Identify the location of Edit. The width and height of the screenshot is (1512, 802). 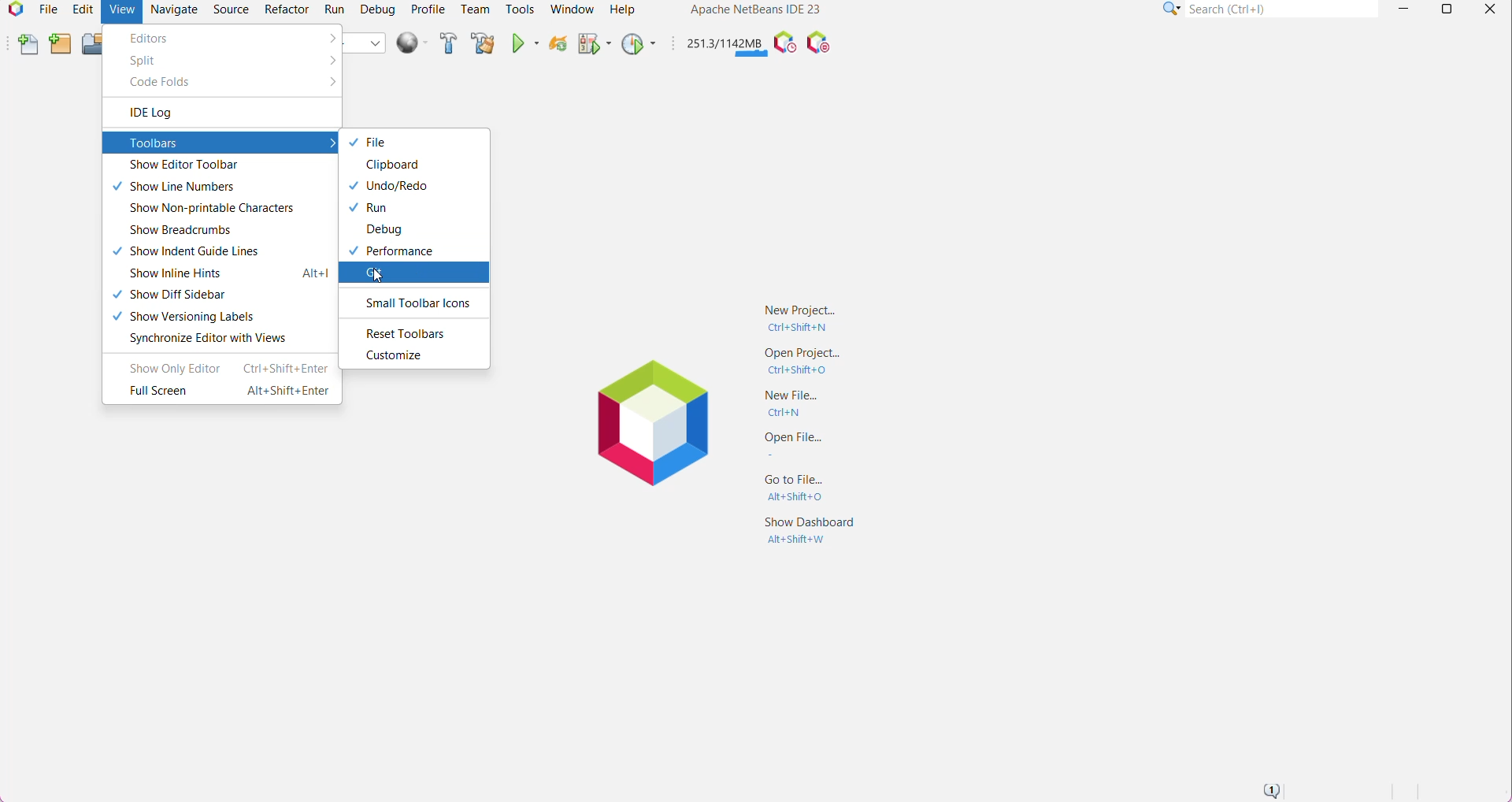
(81, 9).